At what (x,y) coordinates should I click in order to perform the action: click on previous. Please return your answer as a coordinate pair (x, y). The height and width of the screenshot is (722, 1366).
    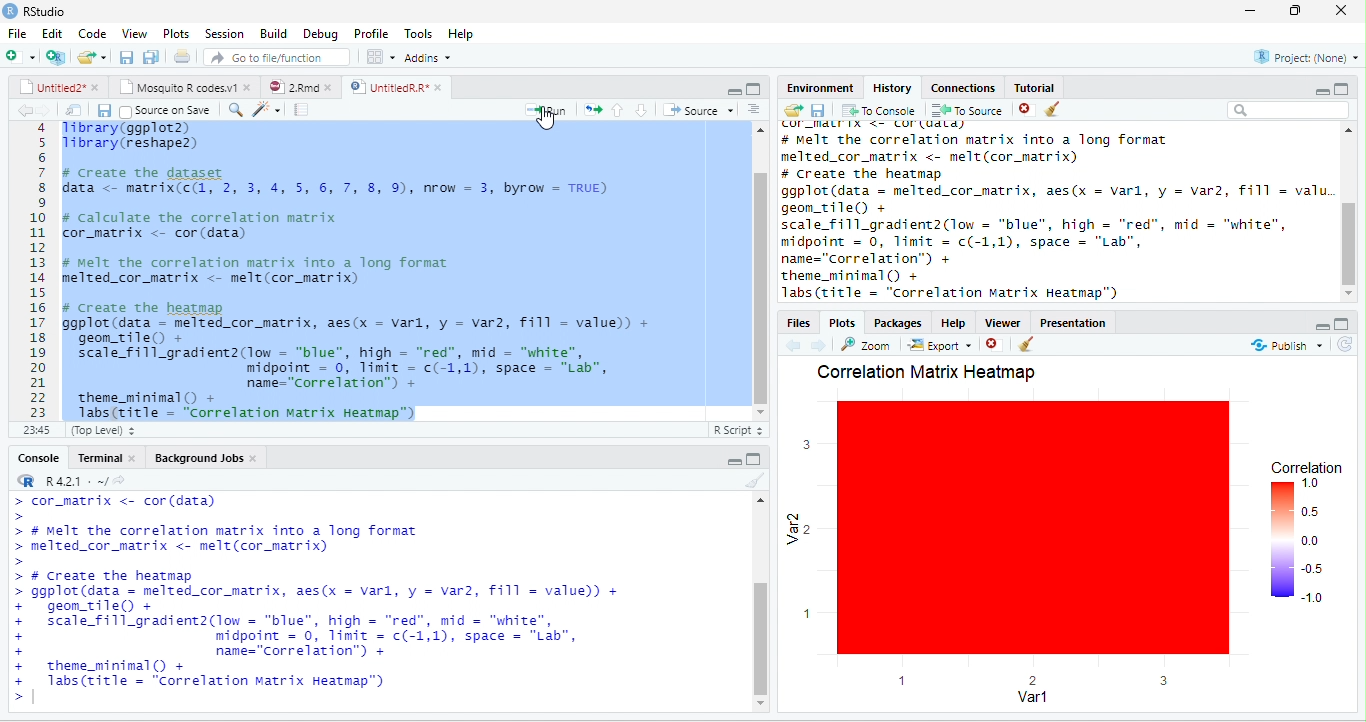
    Looking at the image, I should click on (615, 108).